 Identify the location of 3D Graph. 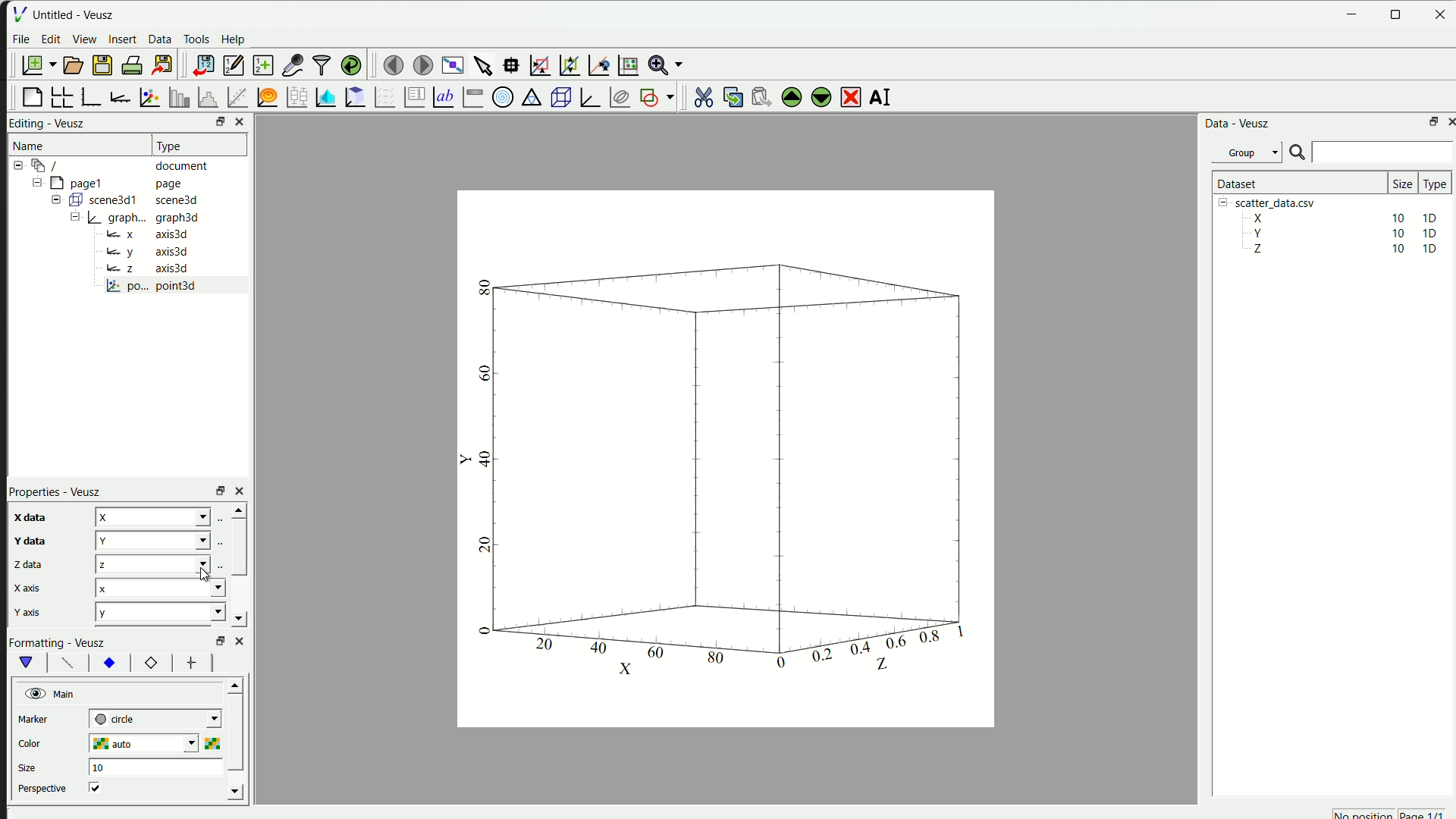
(587, 96).